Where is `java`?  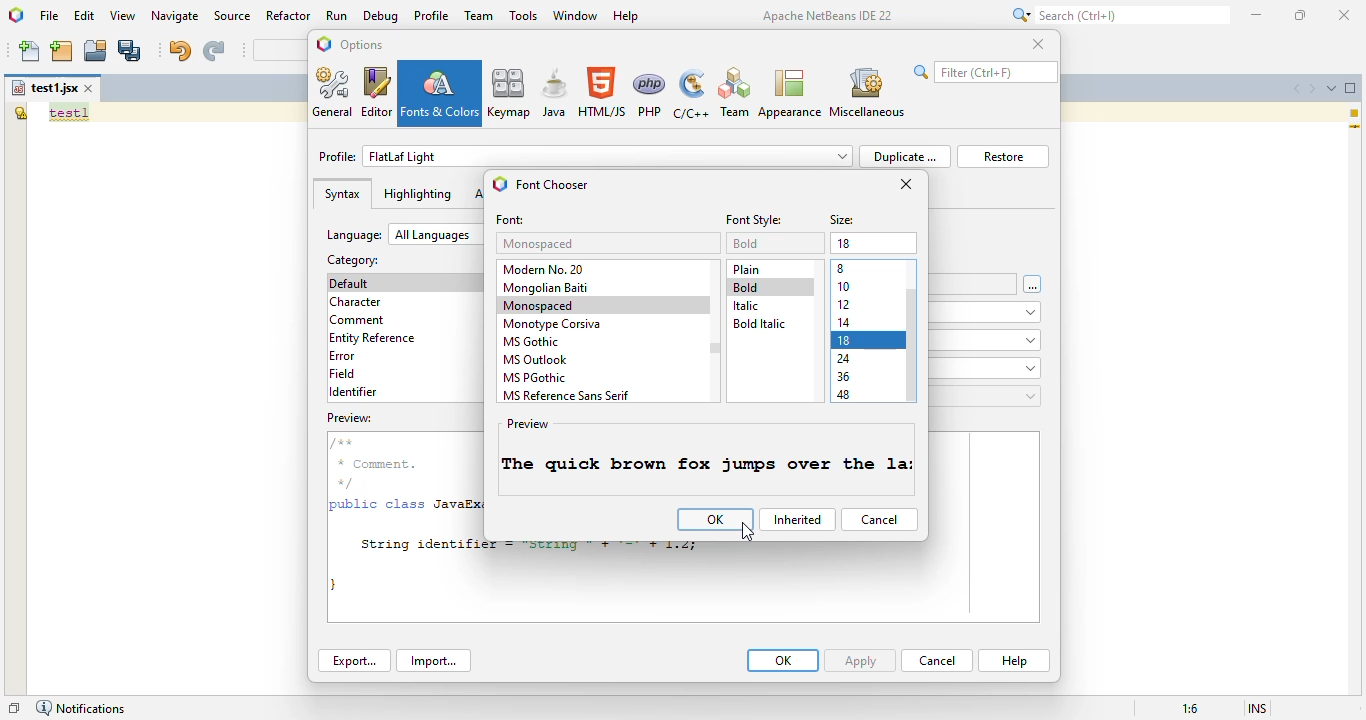
java is located at coordinates (554, 93).